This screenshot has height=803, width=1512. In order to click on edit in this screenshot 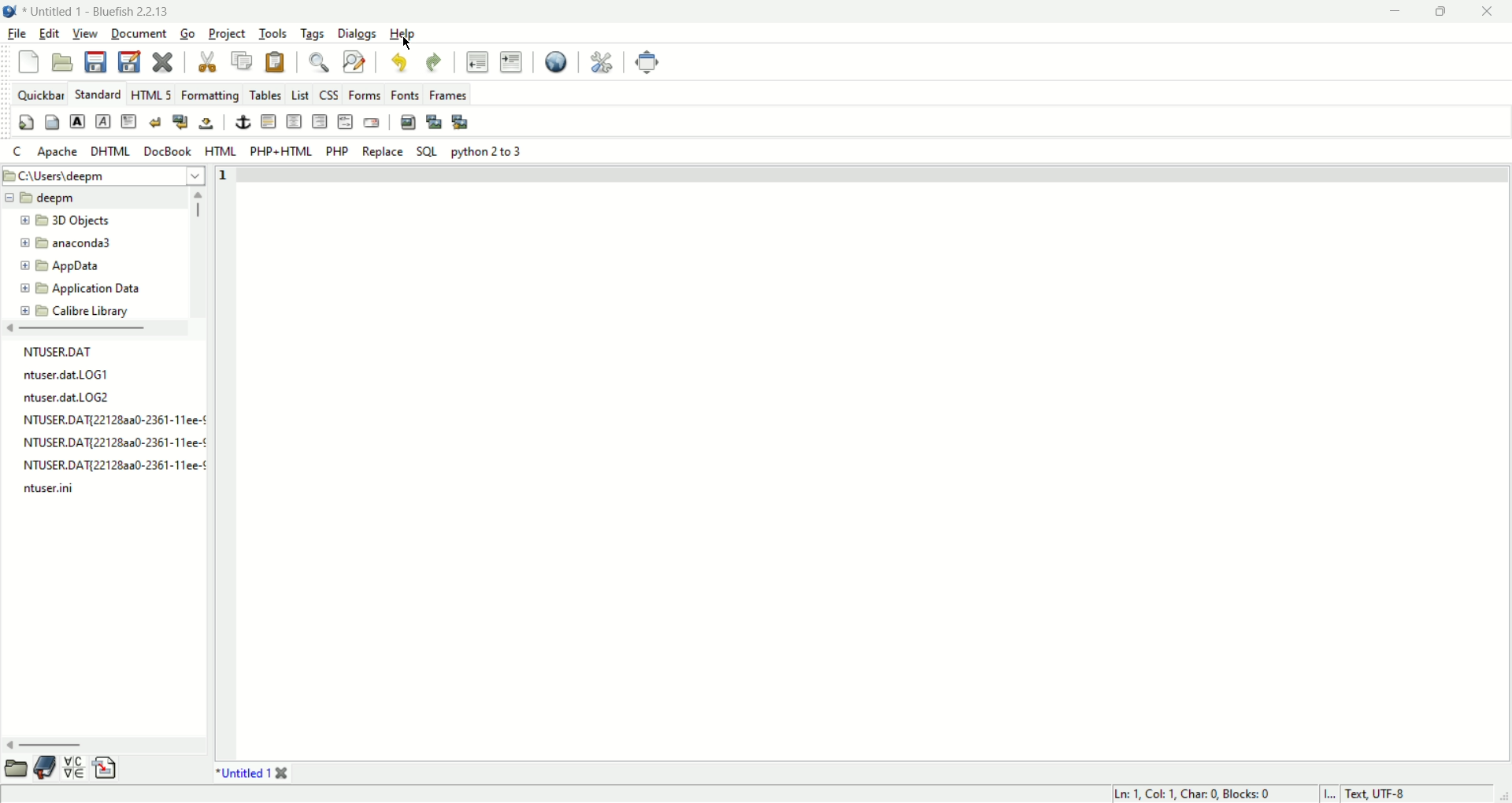, I will do `click(48, 35)`.